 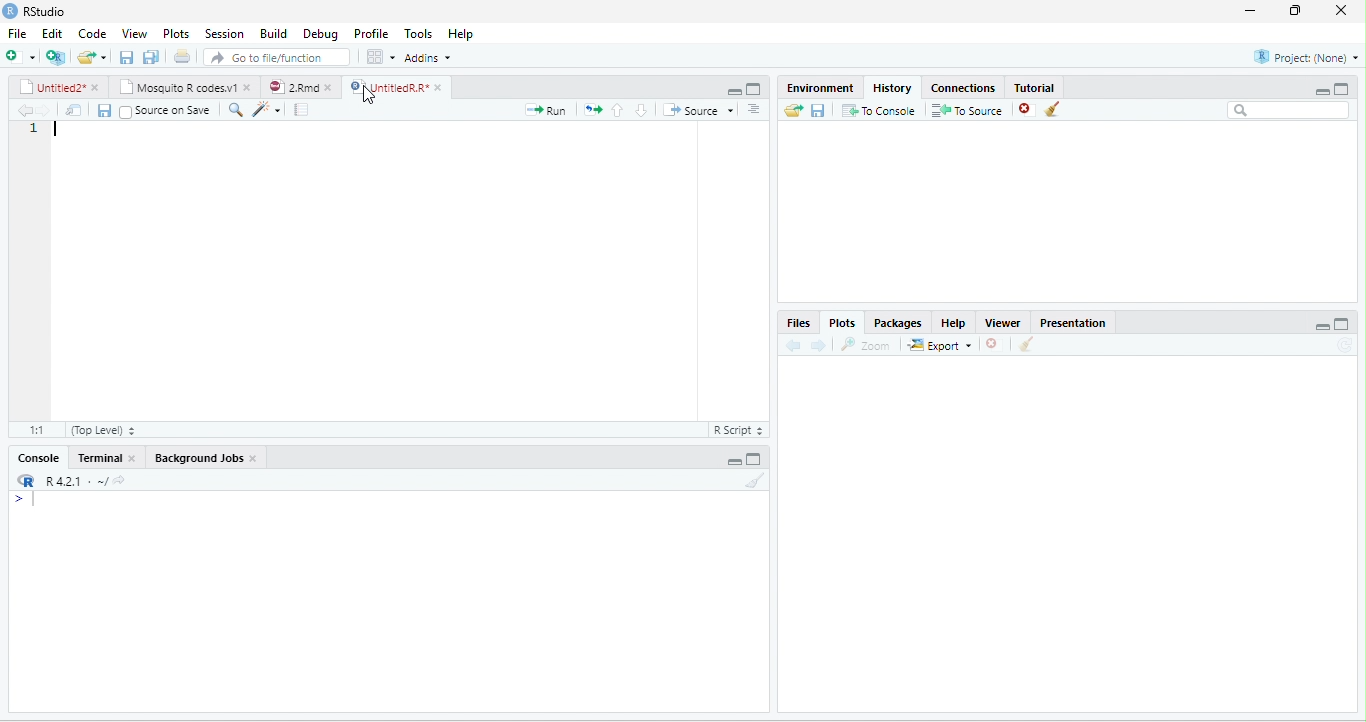 What do you see at coordinates (217, 458) in the screenshot?
I see `Backgroun jobs` at bounding box center [217, 458].